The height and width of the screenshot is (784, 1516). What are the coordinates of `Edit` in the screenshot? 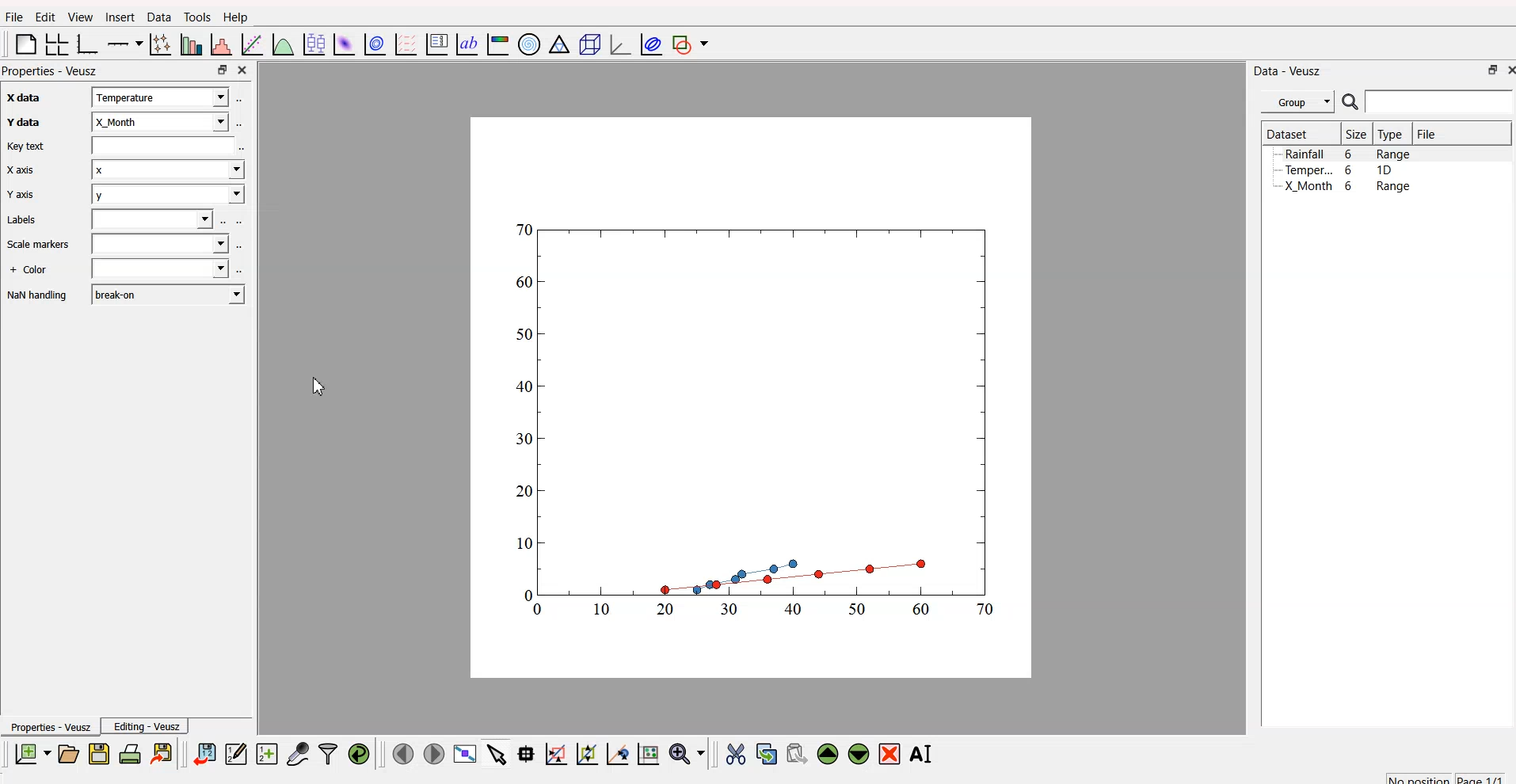 It's located at (43, 17).